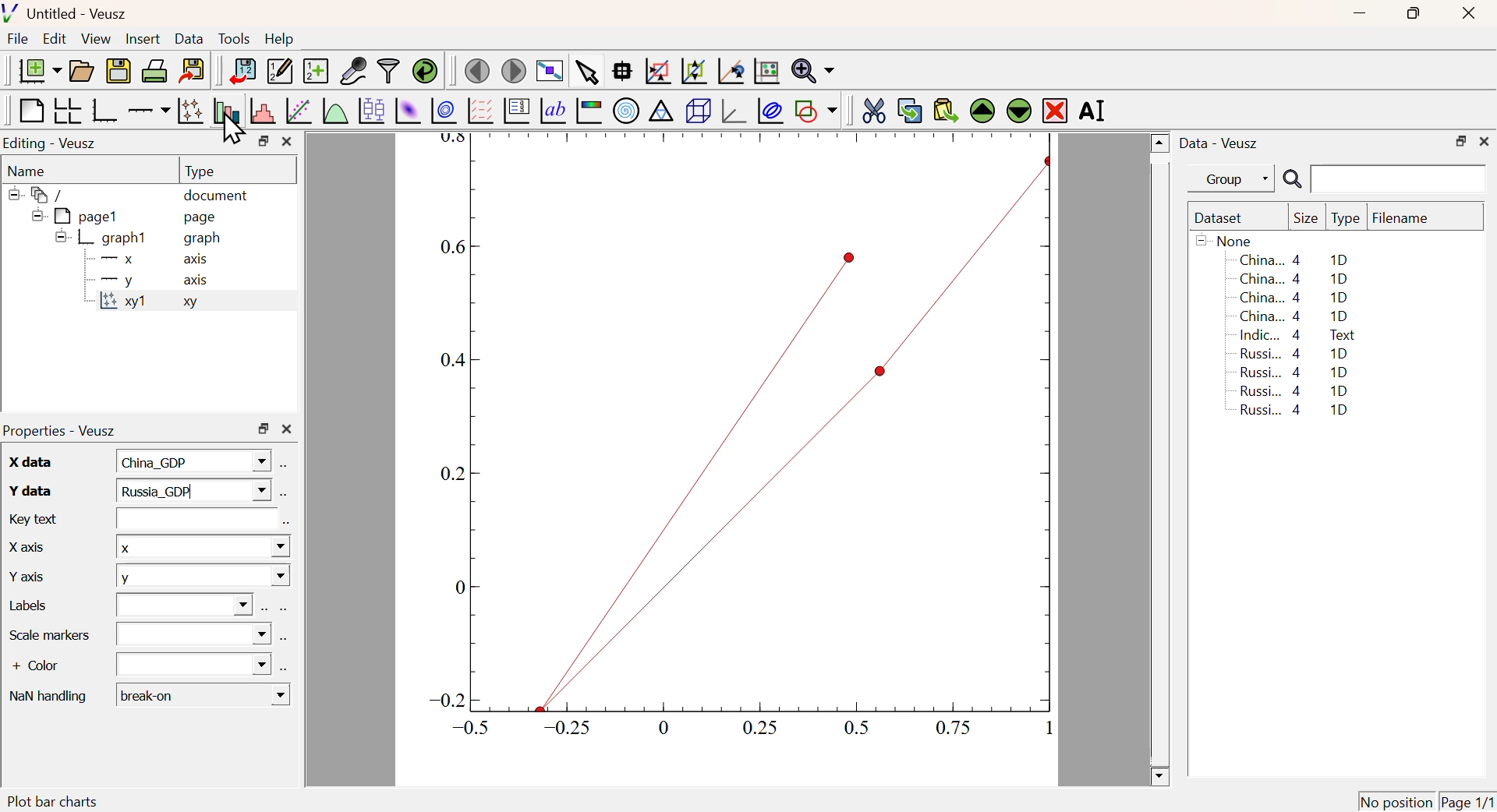 This screenshot has width=1497, height=812. I want to click on graph1, so click(103, 237).